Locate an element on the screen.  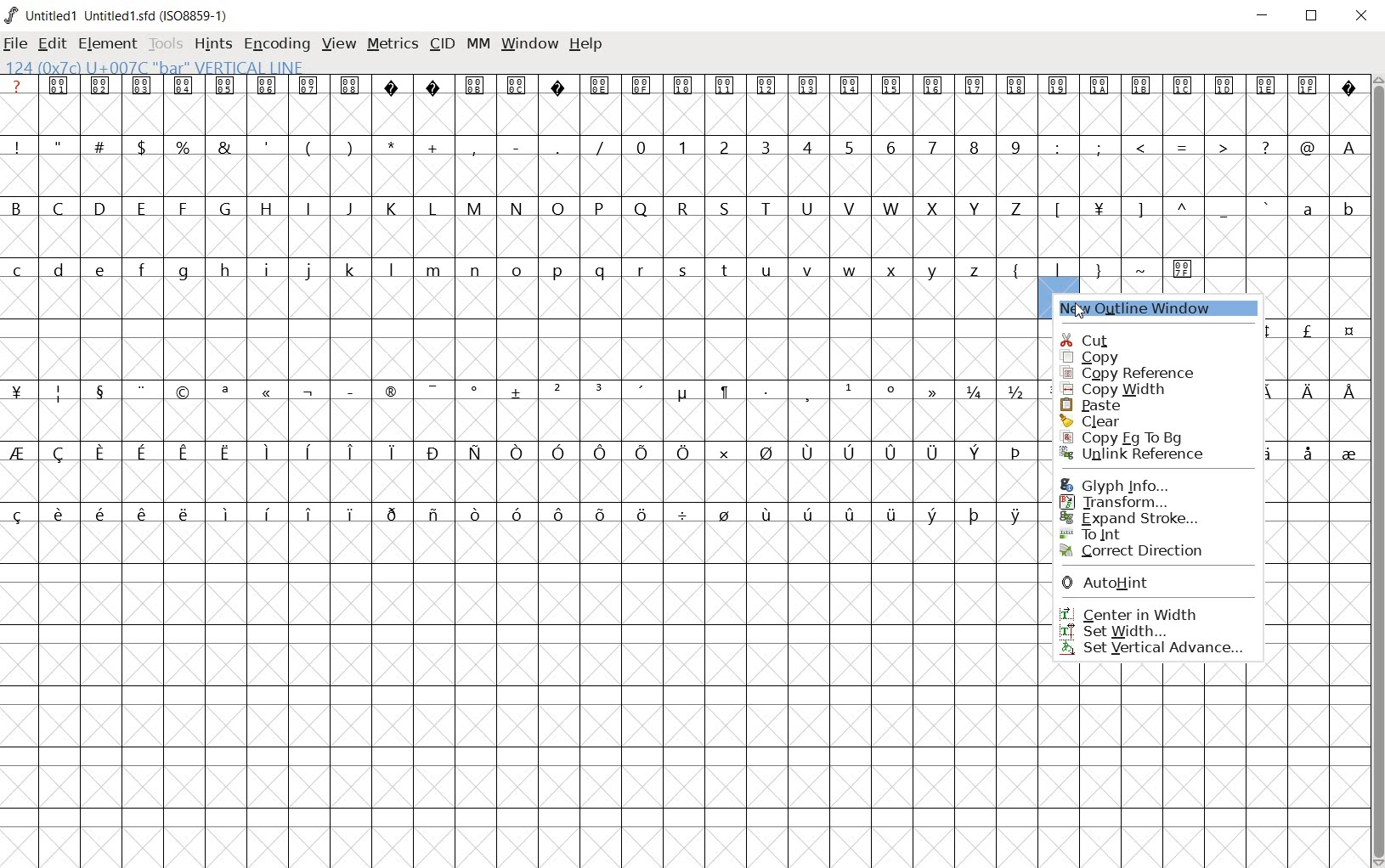
empty cells is located at coordinates (1318, 480).